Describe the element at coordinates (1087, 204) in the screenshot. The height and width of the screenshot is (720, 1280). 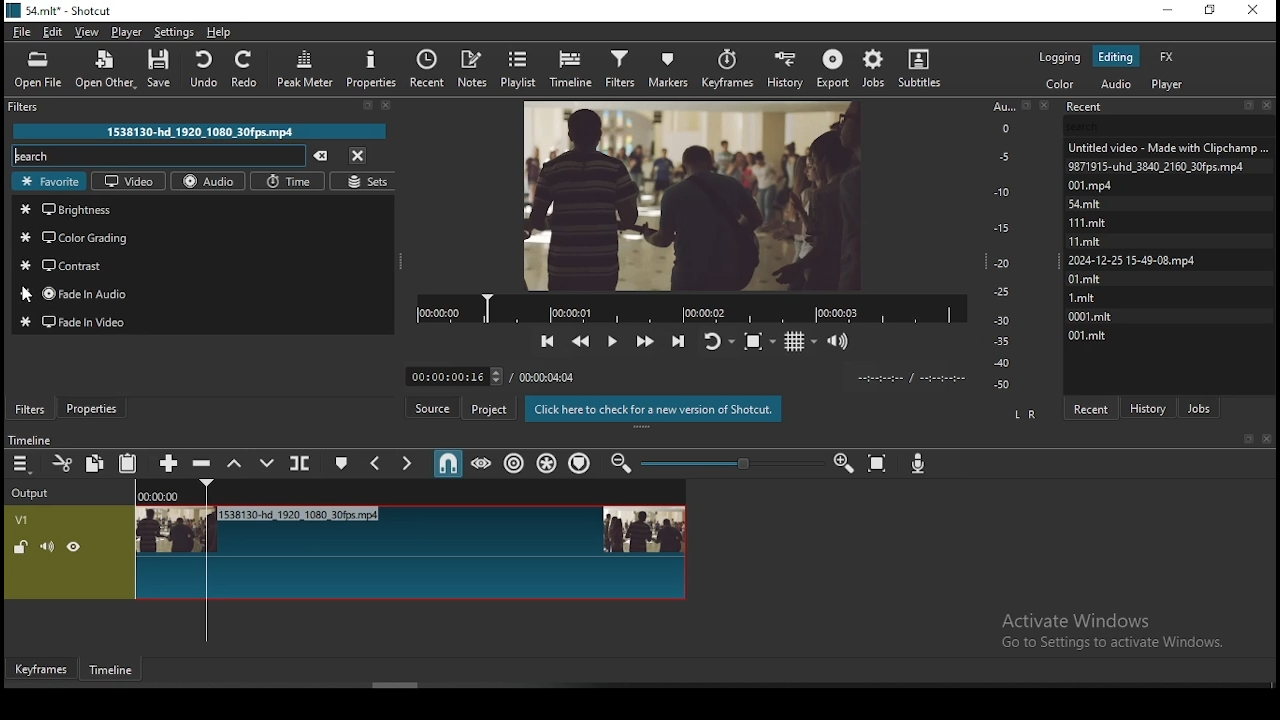
I see `54.mit` at that location.